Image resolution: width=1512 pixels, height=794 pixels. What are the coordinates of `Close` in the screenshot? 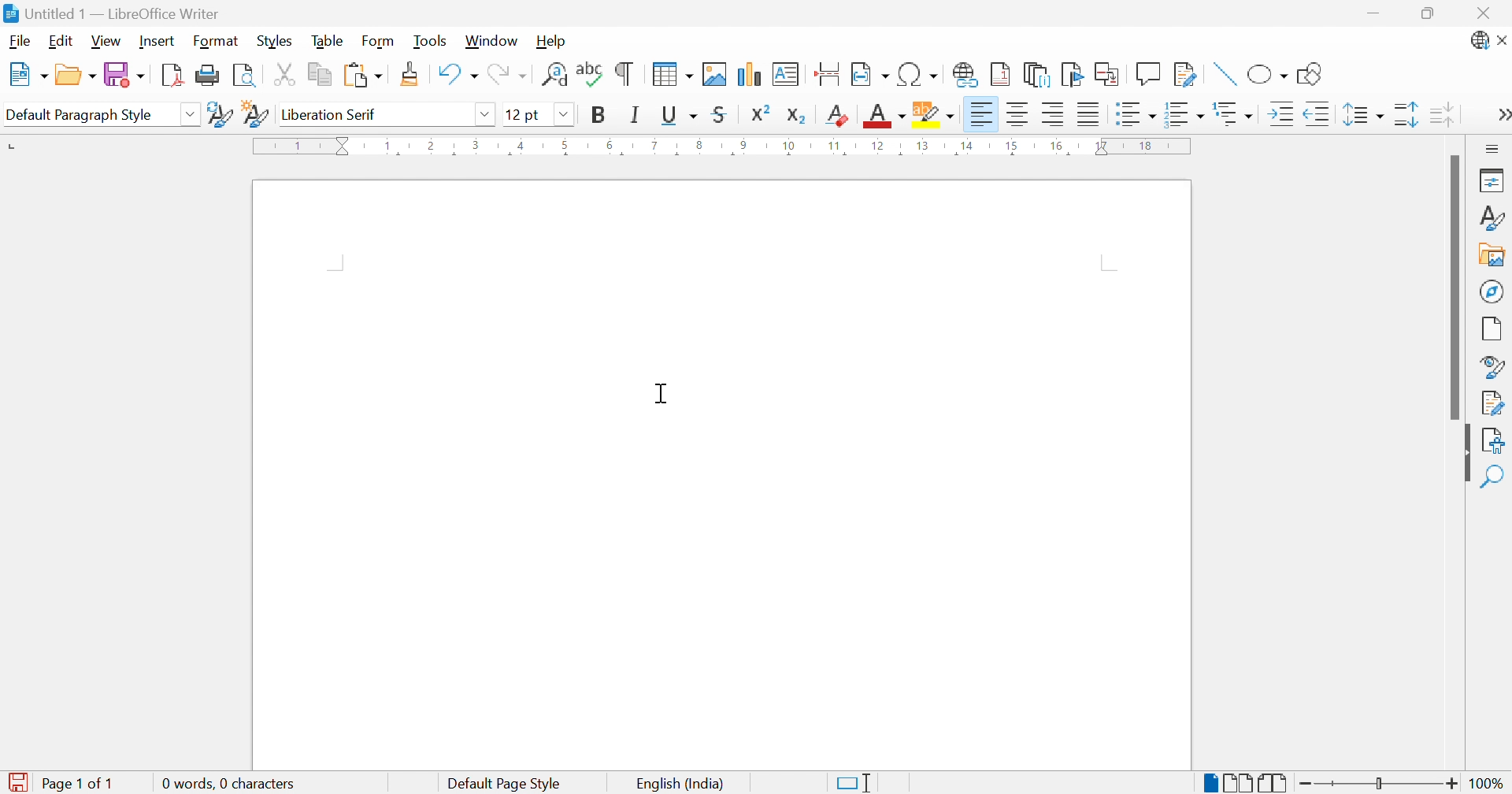 It's located at (1483, 14).